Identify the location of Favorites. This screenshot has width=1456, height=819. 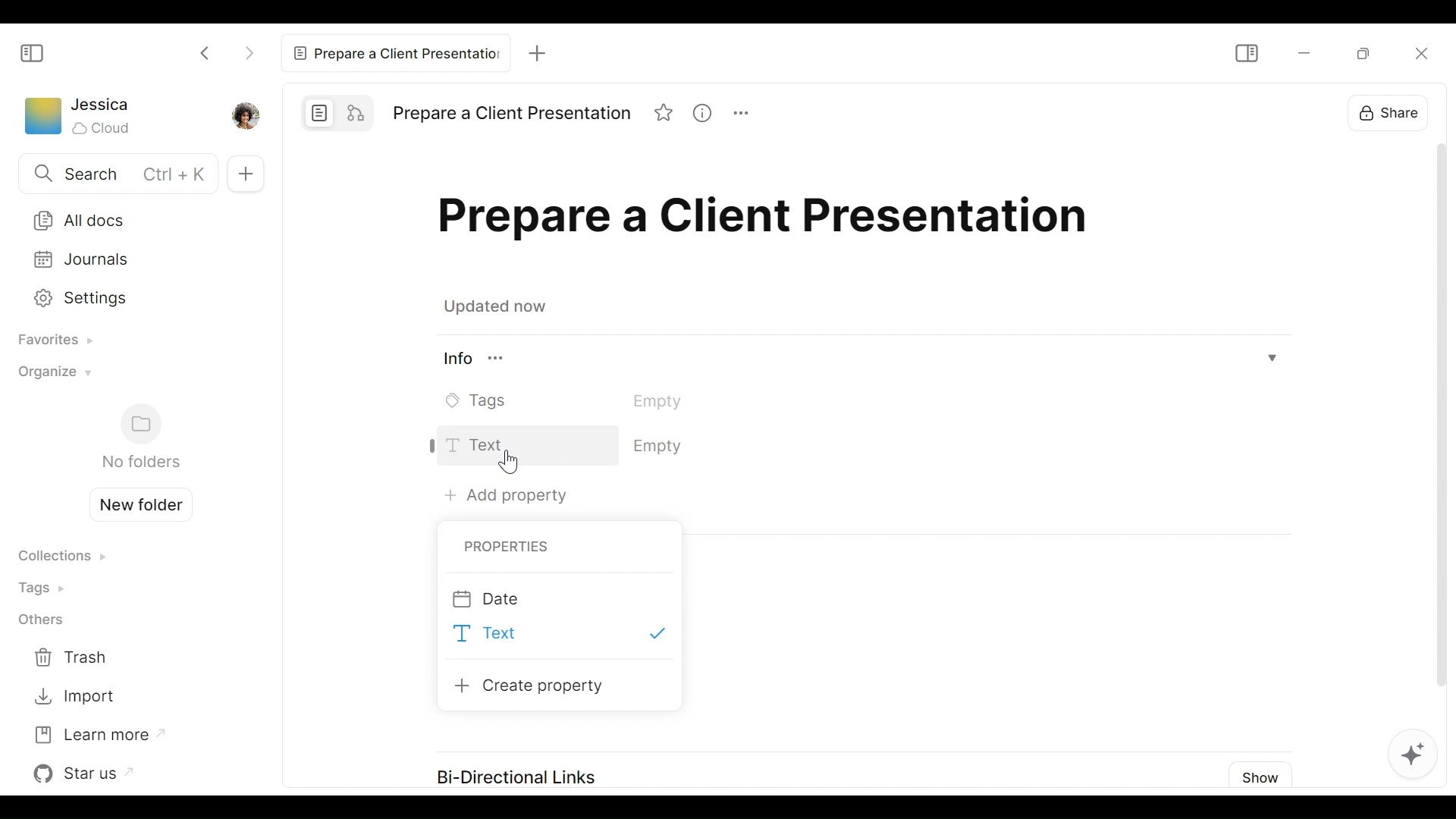
(50, 341).